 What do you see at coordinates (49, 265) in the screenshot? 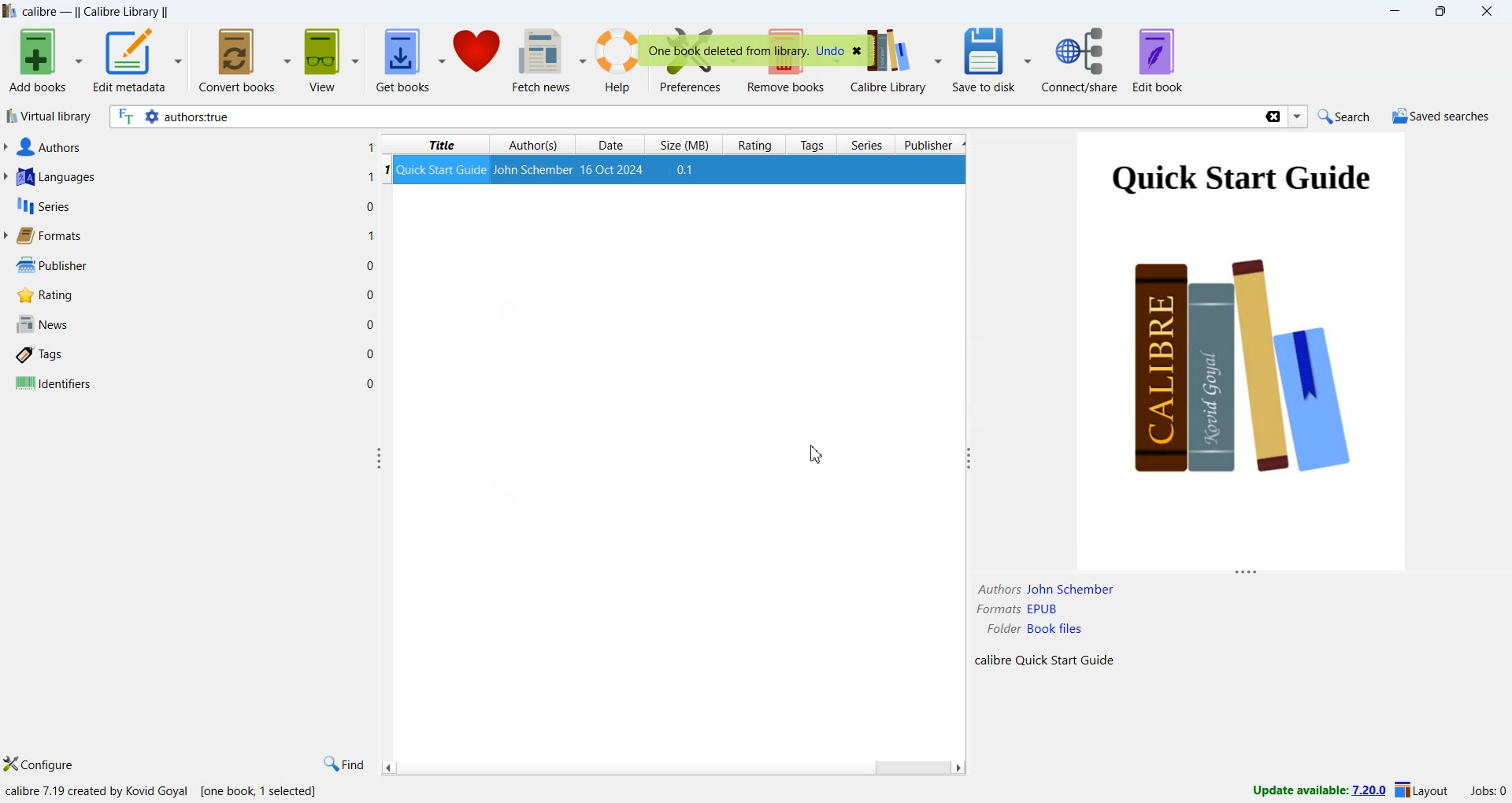
I see `publisher` at bounding box center [49, 265].